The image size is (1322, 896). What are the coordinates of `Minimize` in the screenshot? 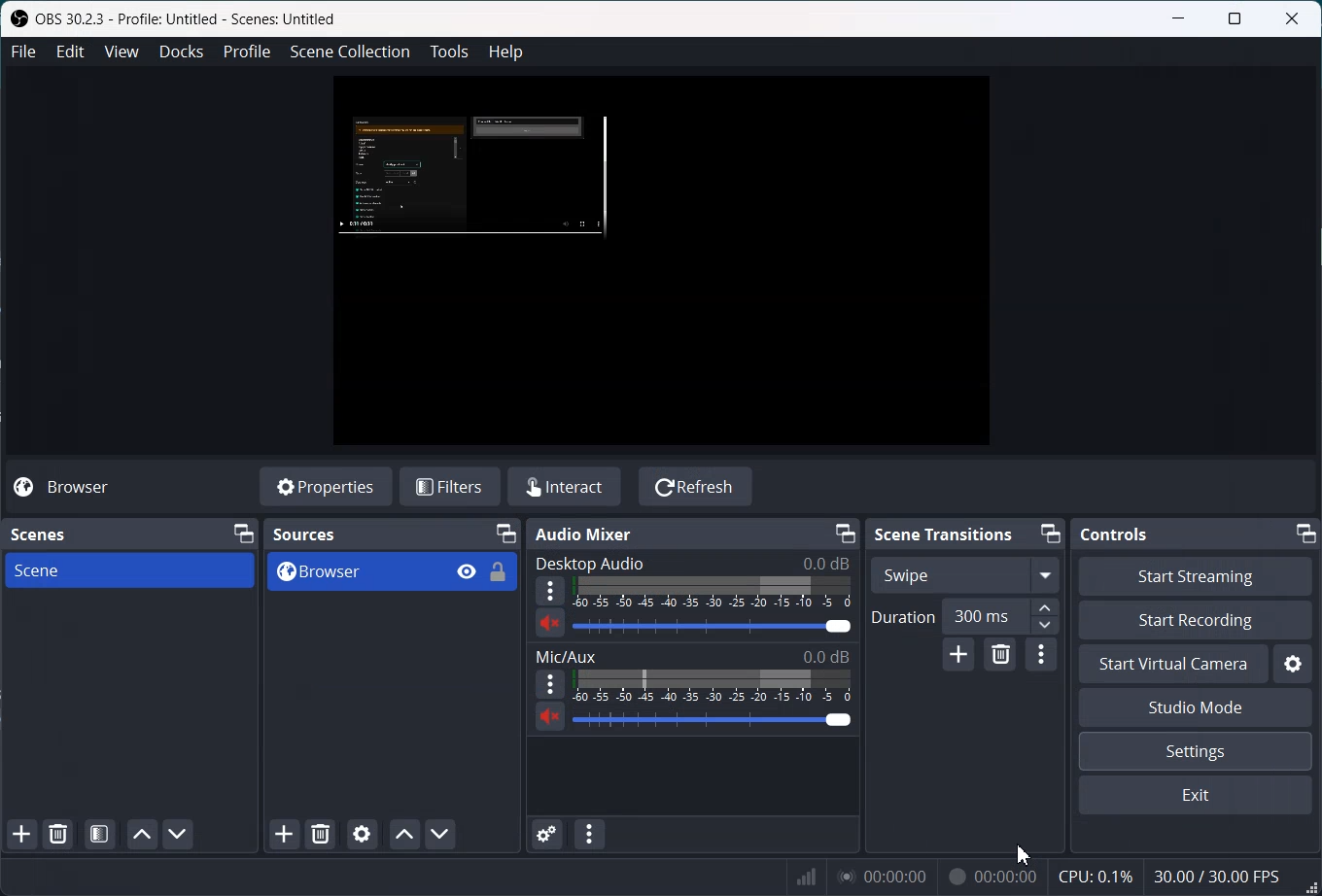 It's located at (1051, 532).